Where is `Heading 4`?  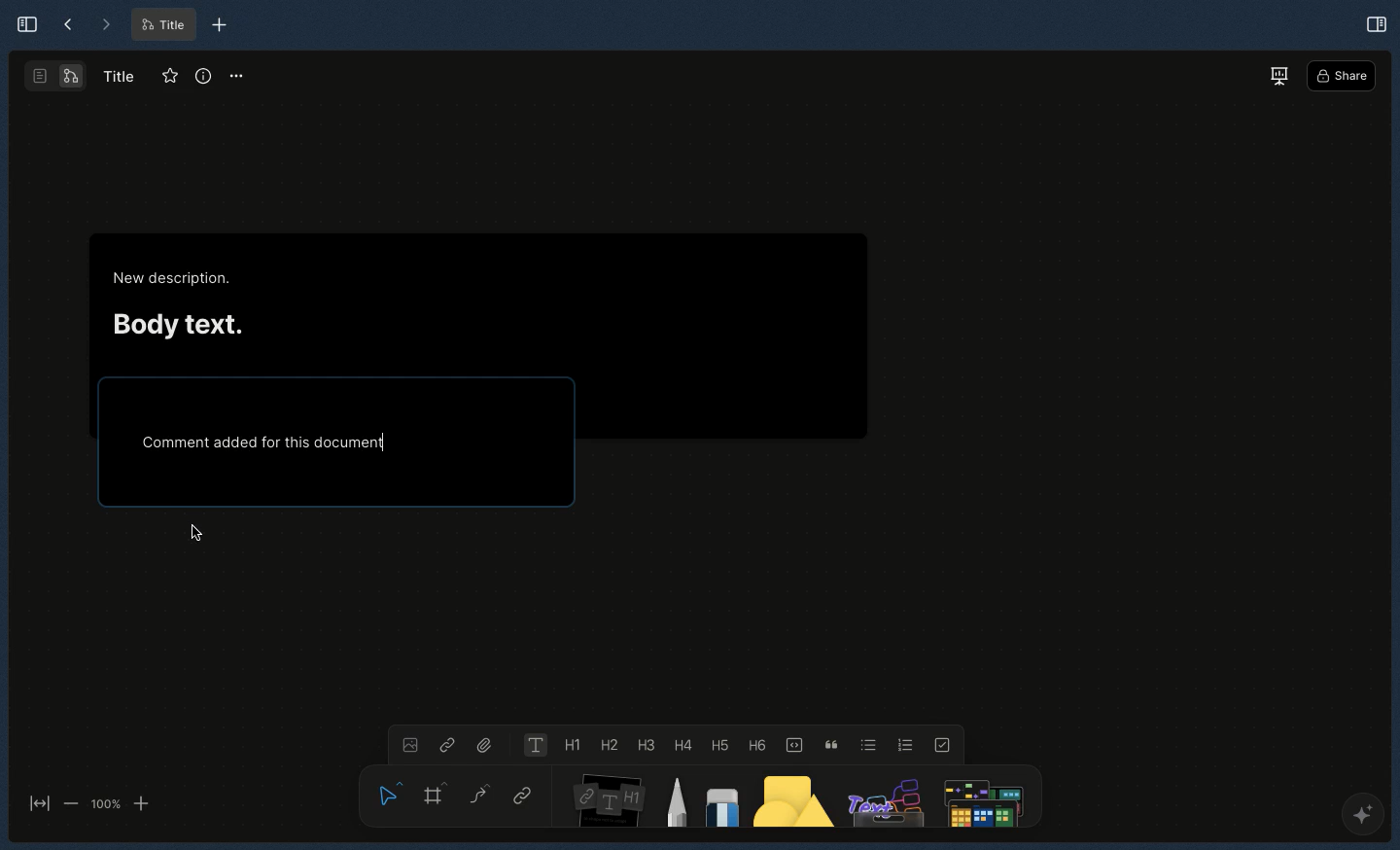 Heading 4 is located at coordinates (682, 745).